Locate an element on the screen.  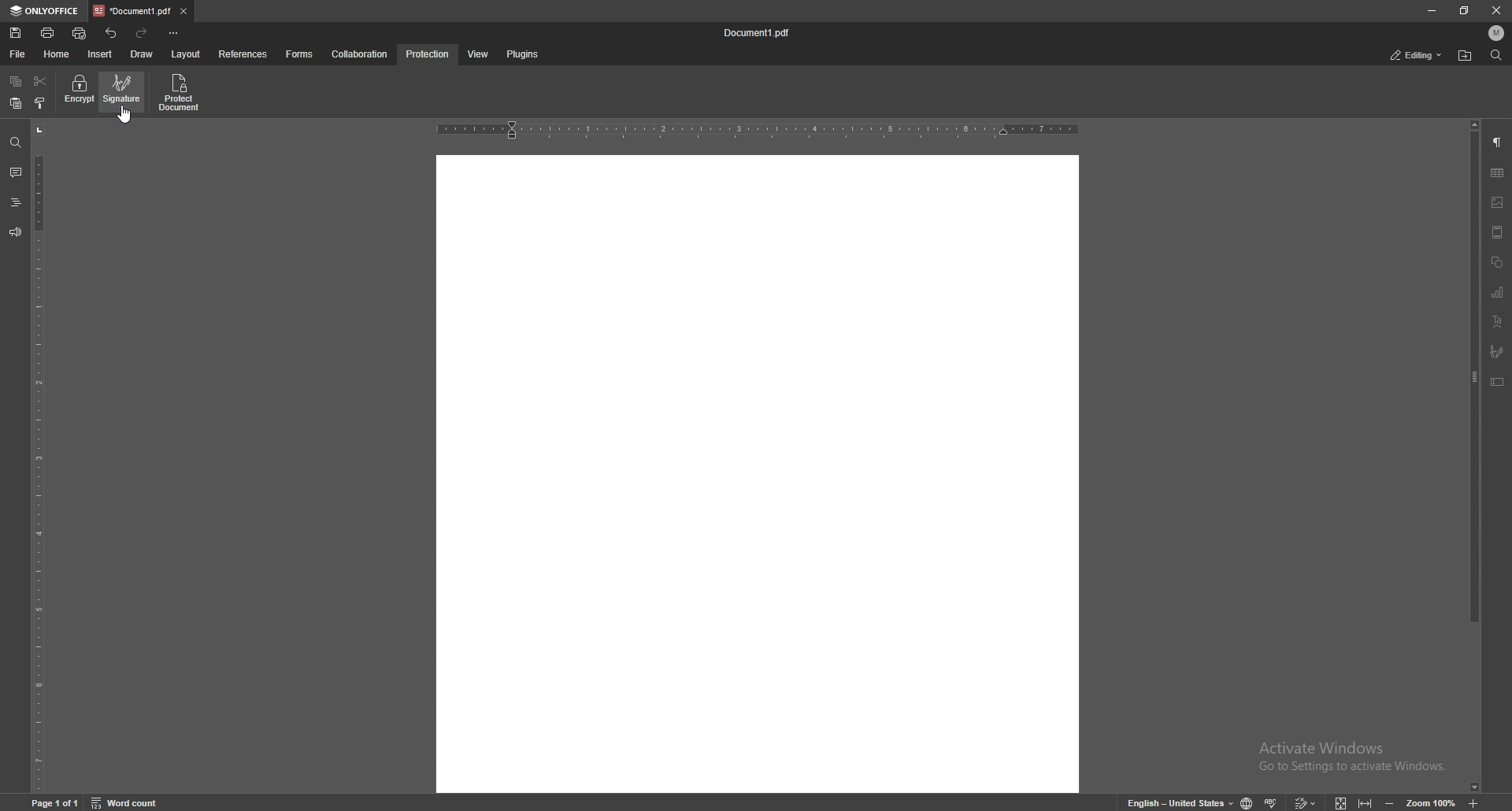
encrypt is located at coordinates (79, 91).